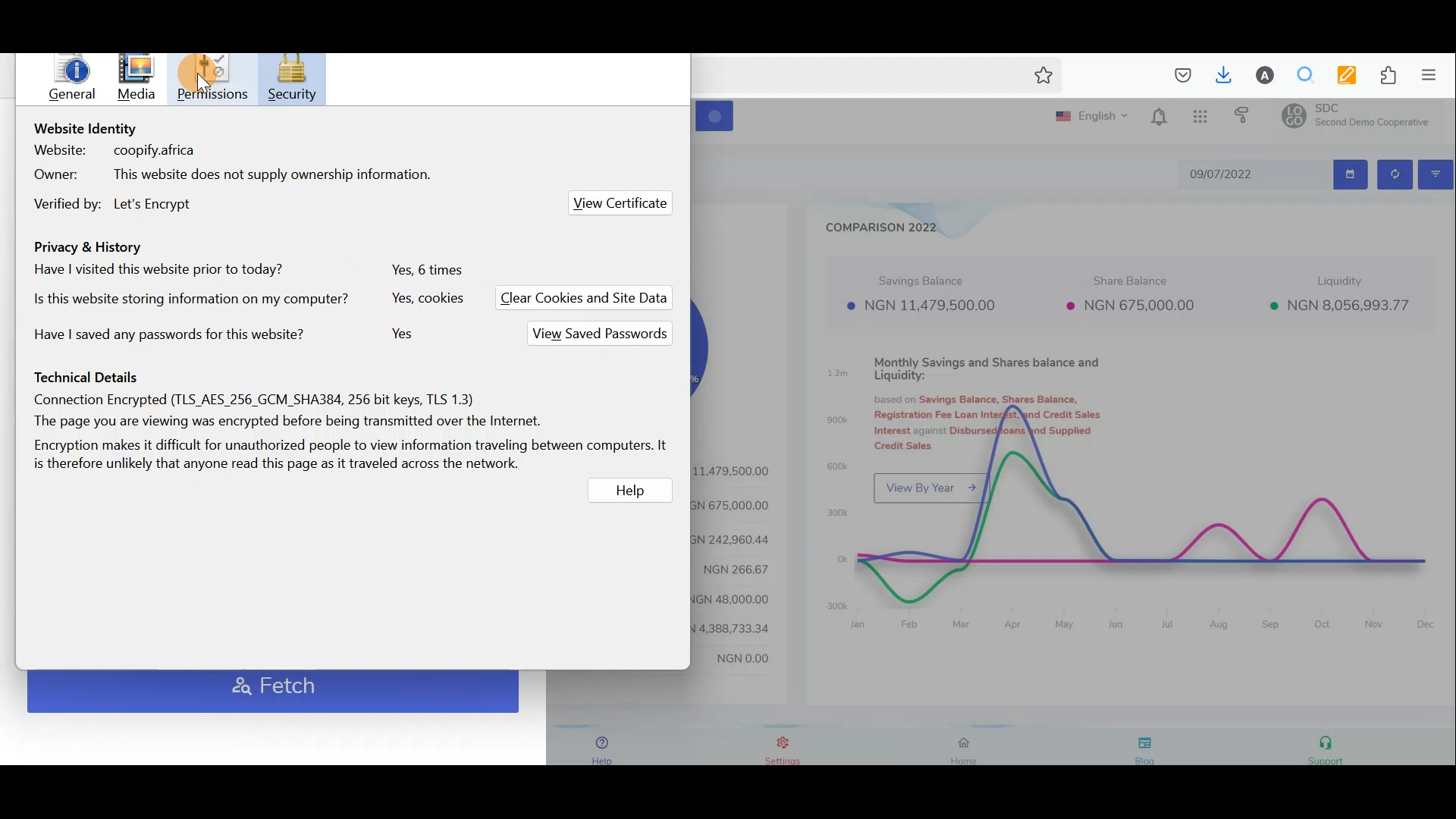  I want to click on General, so click(77, 81).